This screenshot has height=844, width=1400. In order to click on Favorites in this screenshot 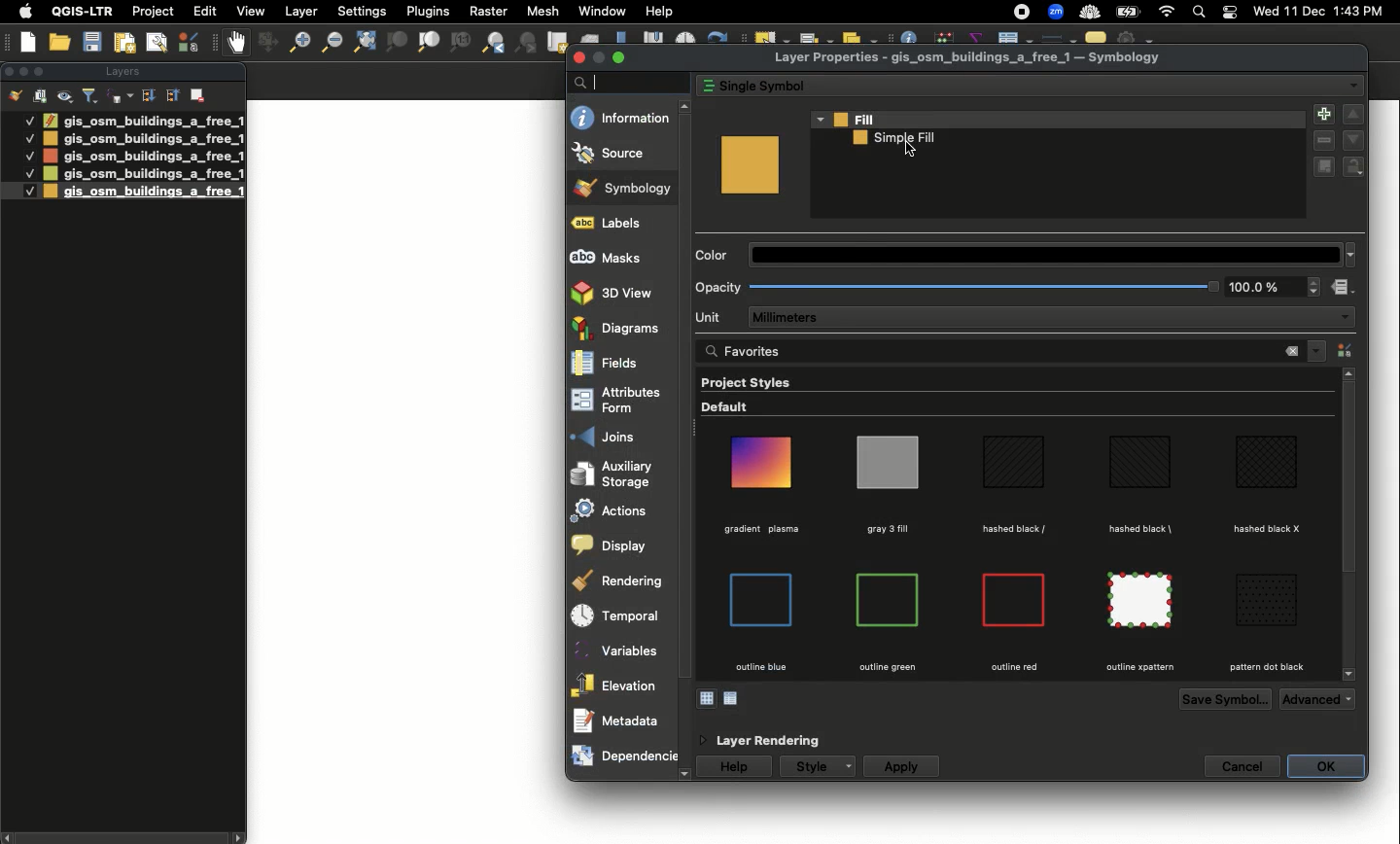, I will do `click(946, 350)`.